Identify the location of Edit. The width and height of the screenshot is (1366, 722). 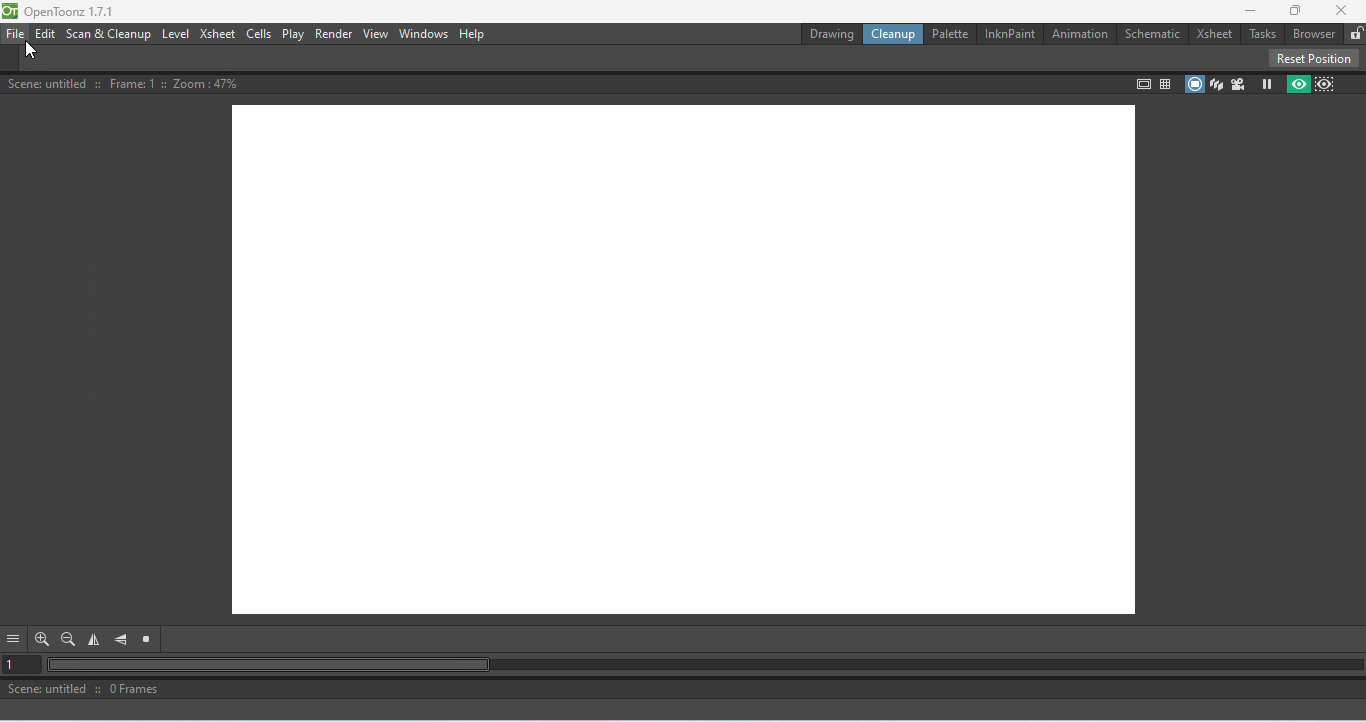
(44, 34).